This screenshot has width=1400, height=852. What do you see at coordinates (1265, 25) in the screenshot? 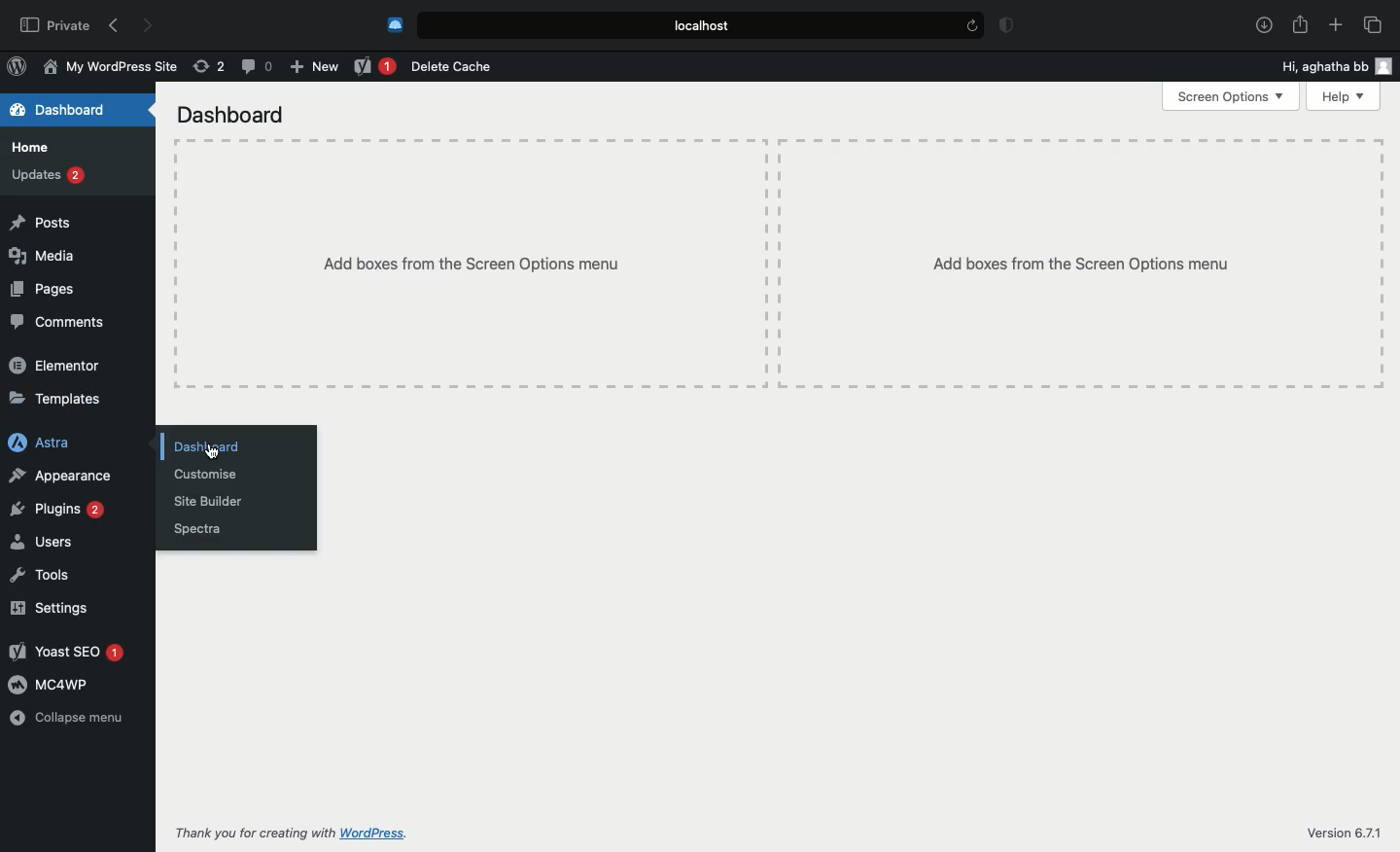
I see `Download` at bounding box center [1265, 25].